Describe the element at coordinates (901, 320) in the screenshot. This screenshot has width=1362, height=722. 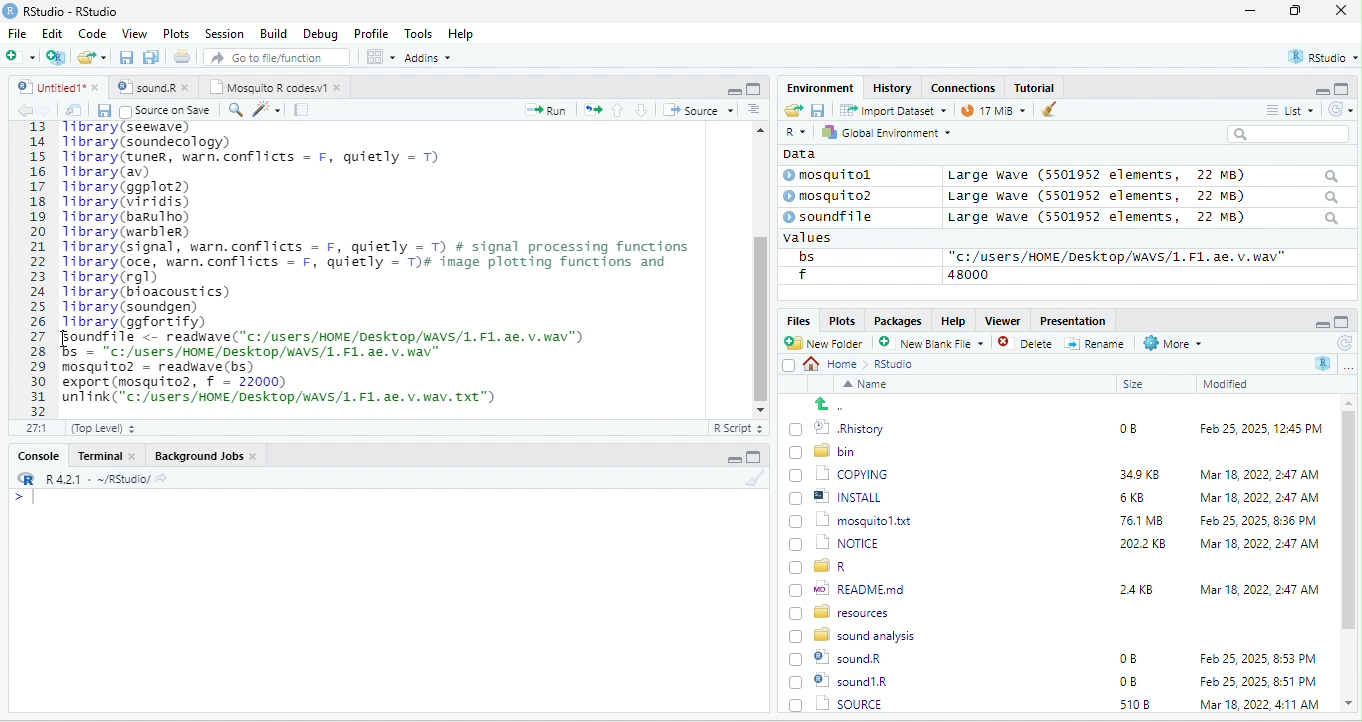
I see `Packages` at that location.